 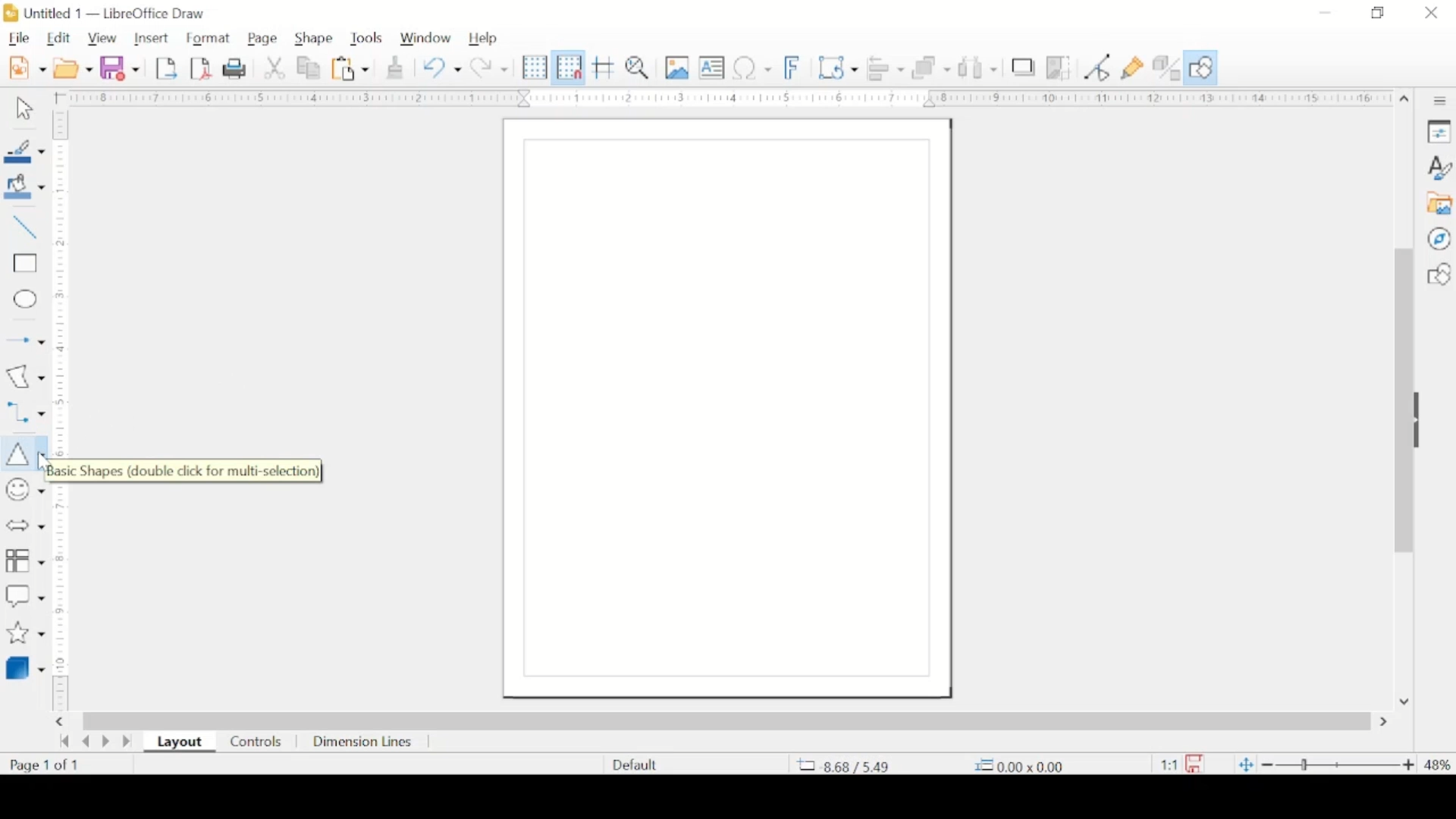 What do you see at coordinates (110, 13) in the screenshot?
I see `untitled 1 - libreoffice draw` at bounding box center [110, 13].